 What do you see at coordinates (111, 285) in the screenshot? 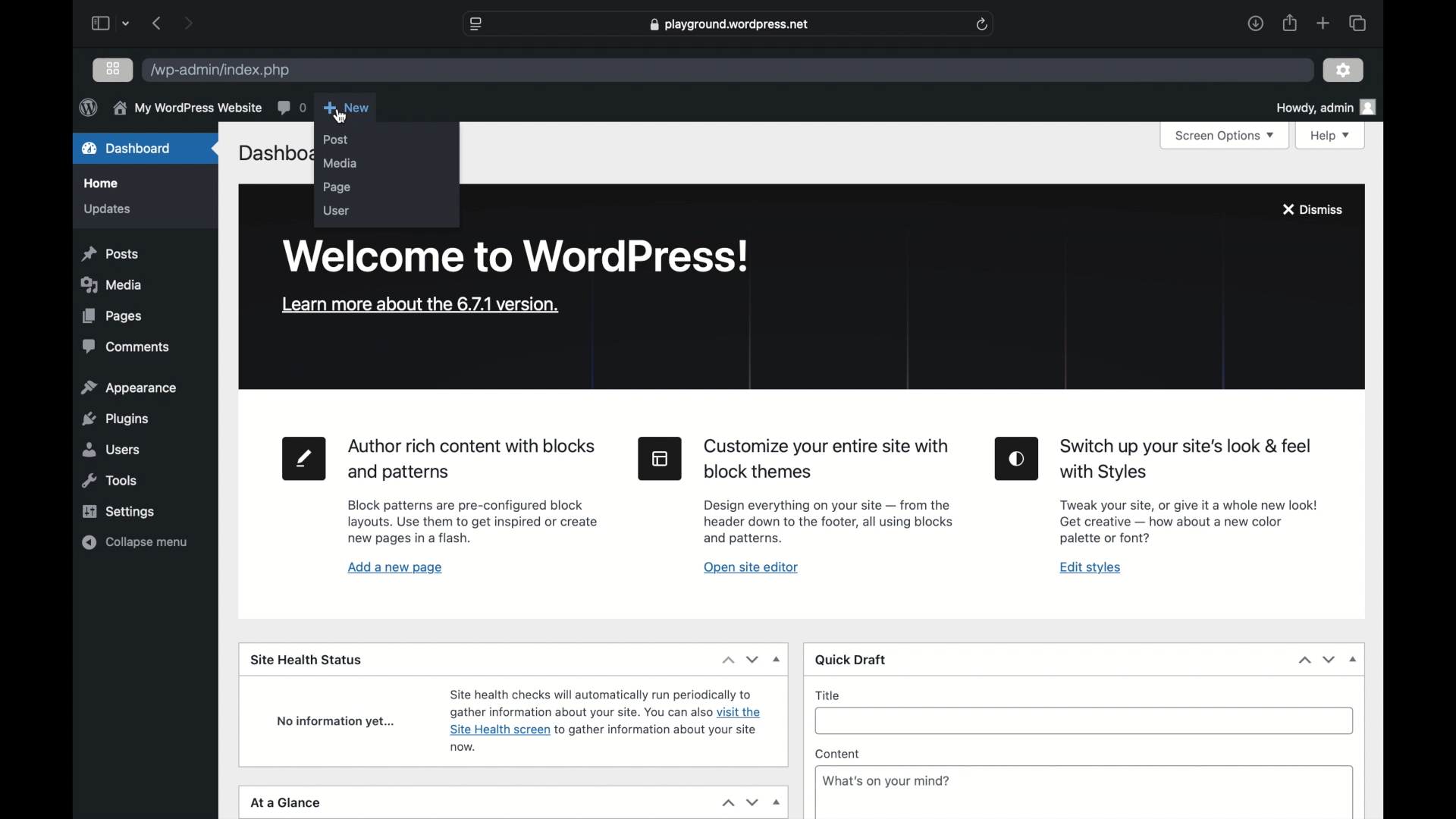
I see `media` at bounding box center [111, 285].